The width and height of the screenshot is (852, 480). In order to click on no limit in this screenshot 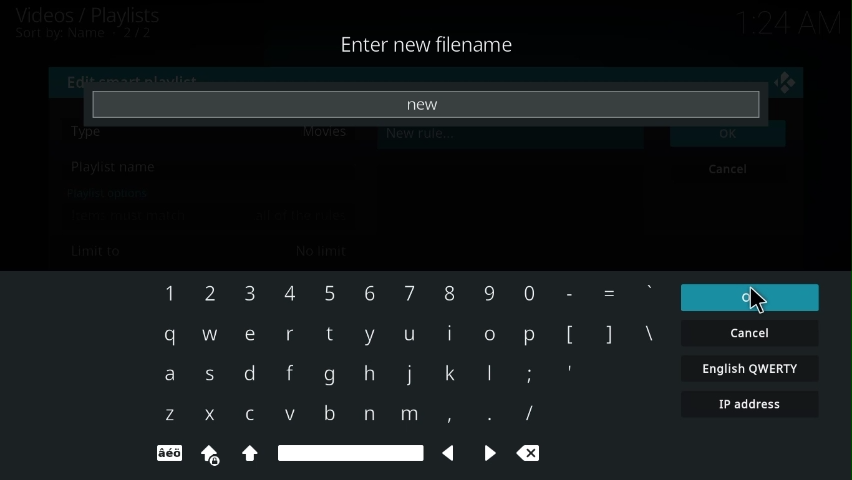, I will do `click(321, 251)`.